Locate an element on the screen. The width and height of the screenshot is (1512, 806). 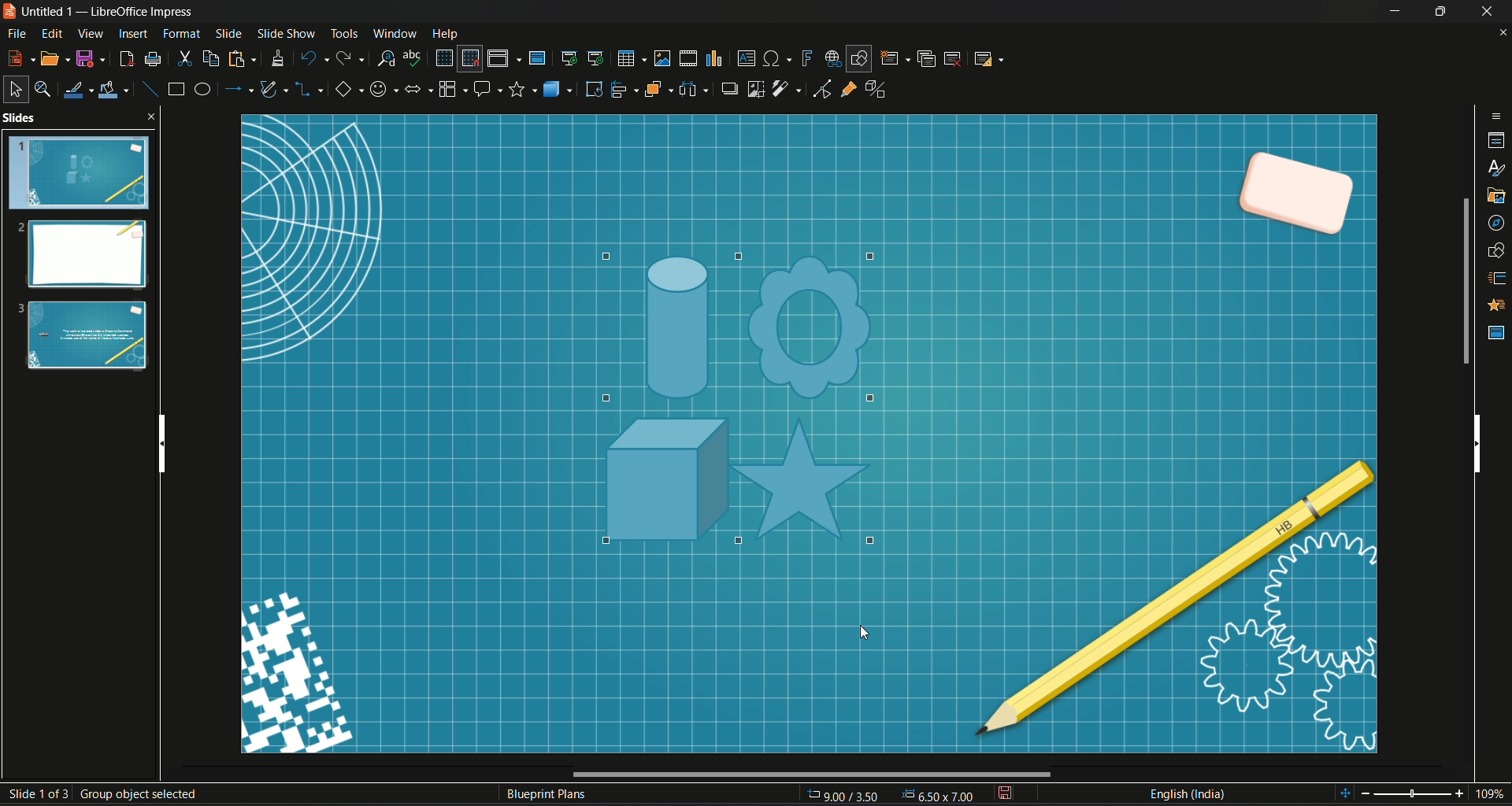
Close is located at coordinates (1488, 11).